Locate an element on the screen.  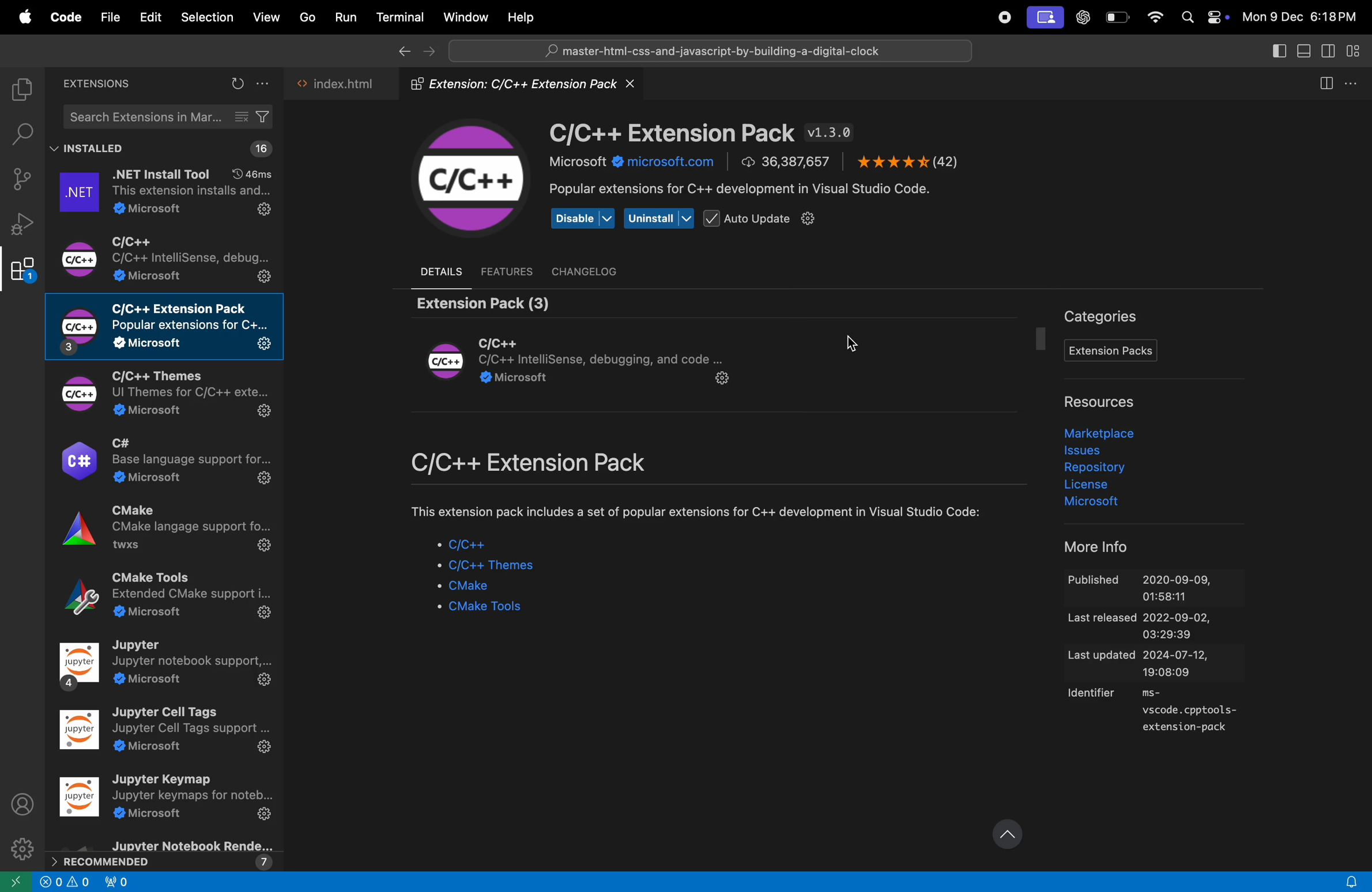
go back is located at coordinates (14, 882).